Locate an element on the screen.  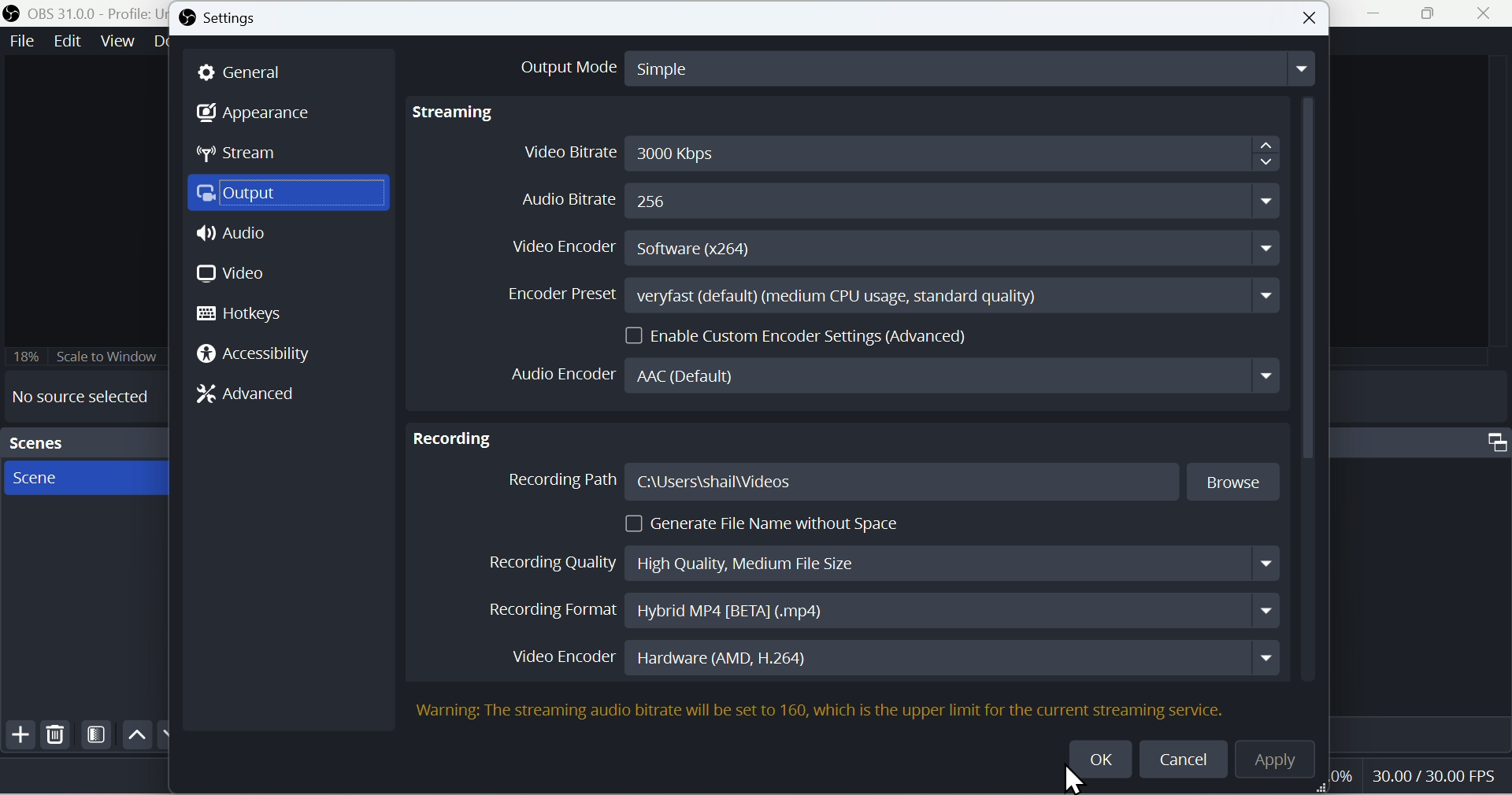
Apply is located at coordinates (1284, 763).